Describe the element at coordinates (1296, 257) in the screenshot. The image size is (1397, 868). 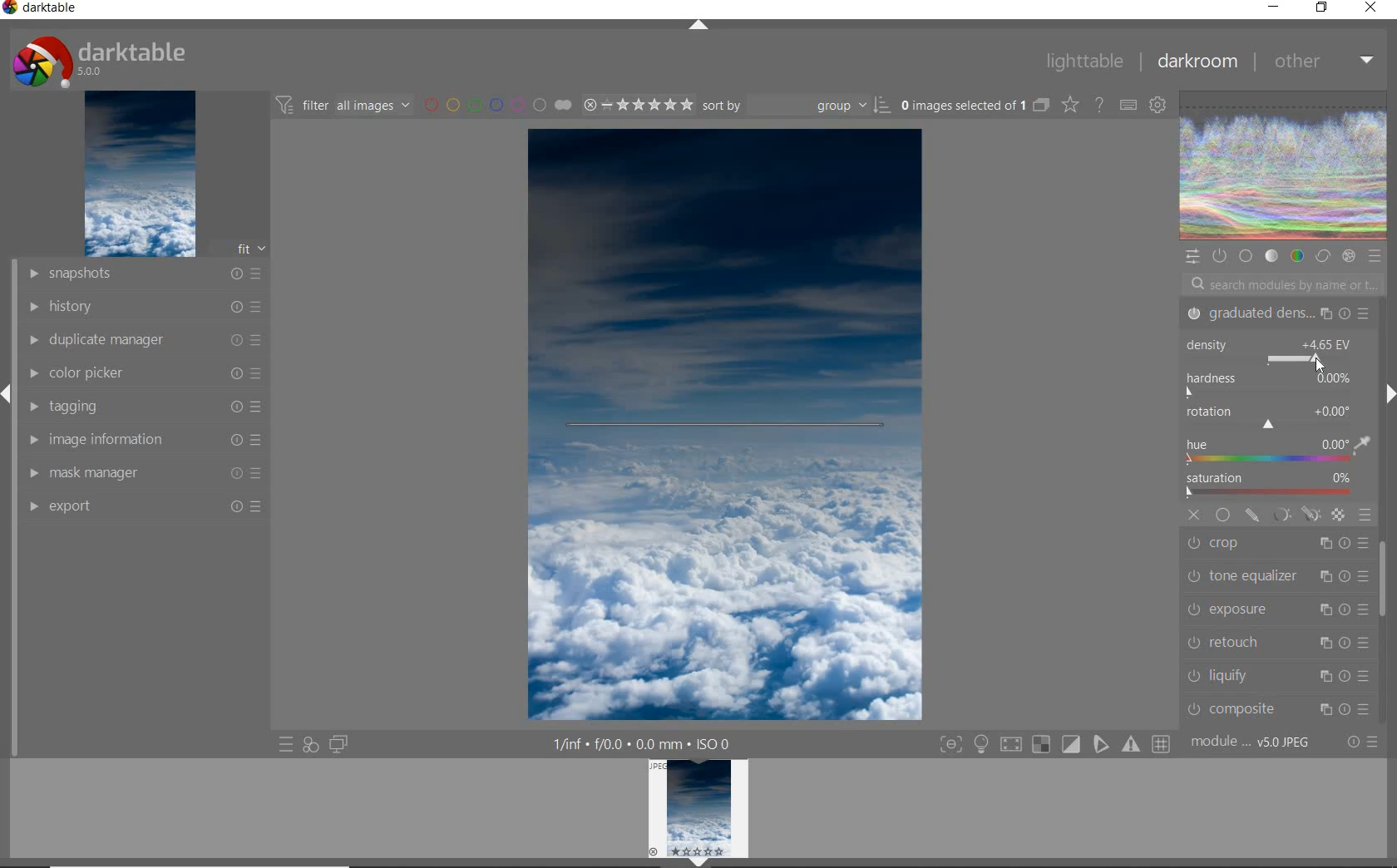
I see `COLOR` at that location.